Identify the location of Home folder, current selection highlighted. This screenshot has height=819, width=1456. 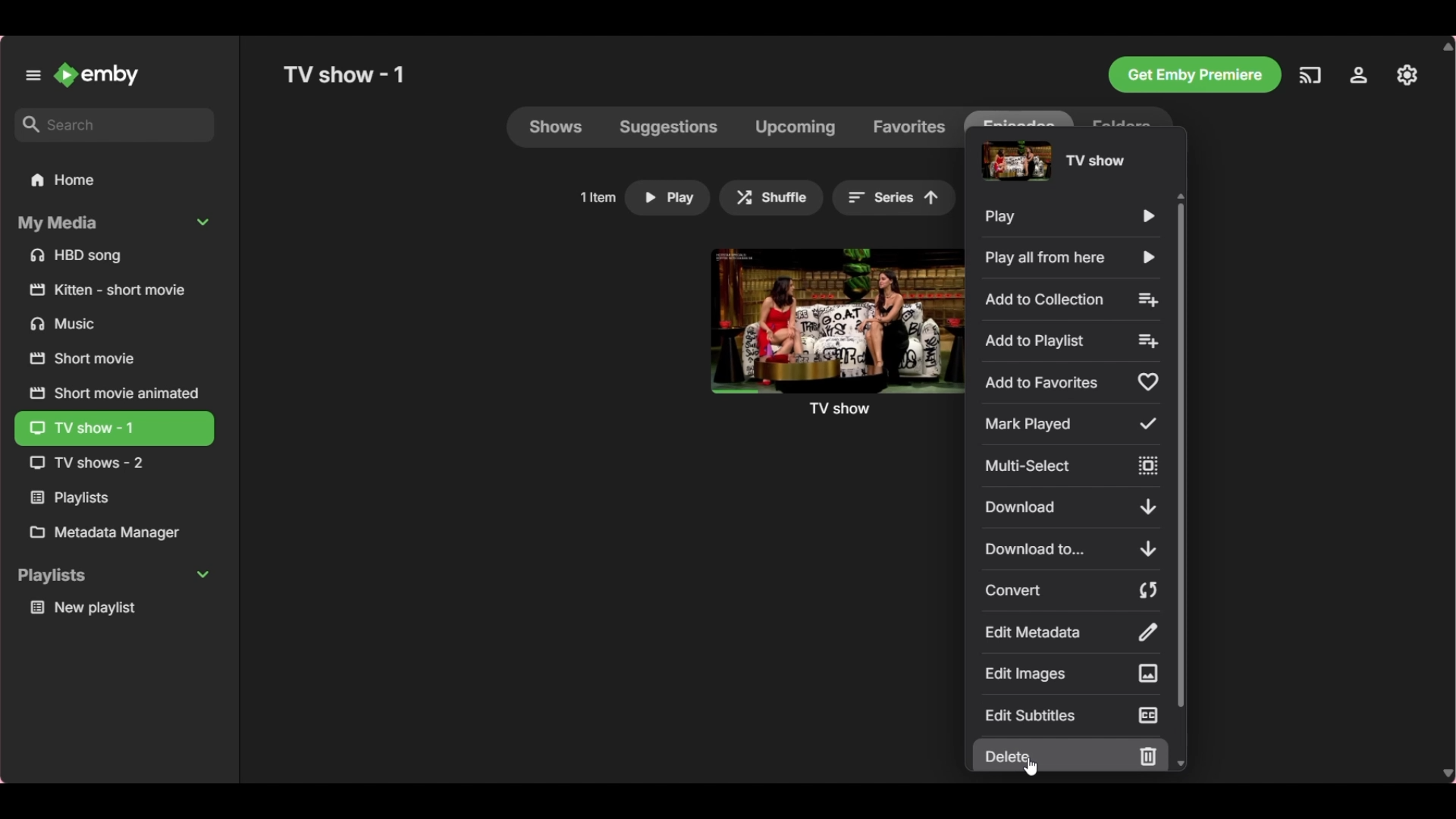
(114, 180).